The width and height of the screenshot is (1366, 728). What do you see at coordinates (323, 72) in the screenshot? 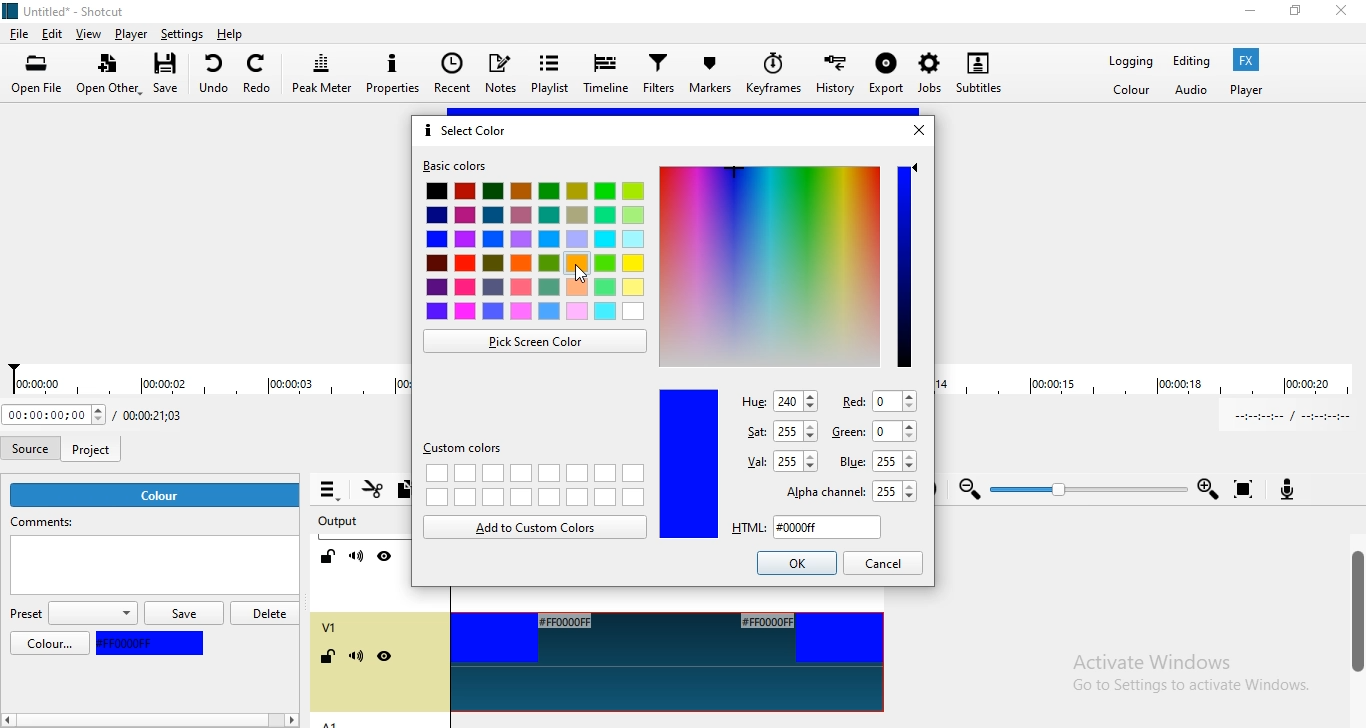
I see `Peak meter` at bounding box center [323, 72].